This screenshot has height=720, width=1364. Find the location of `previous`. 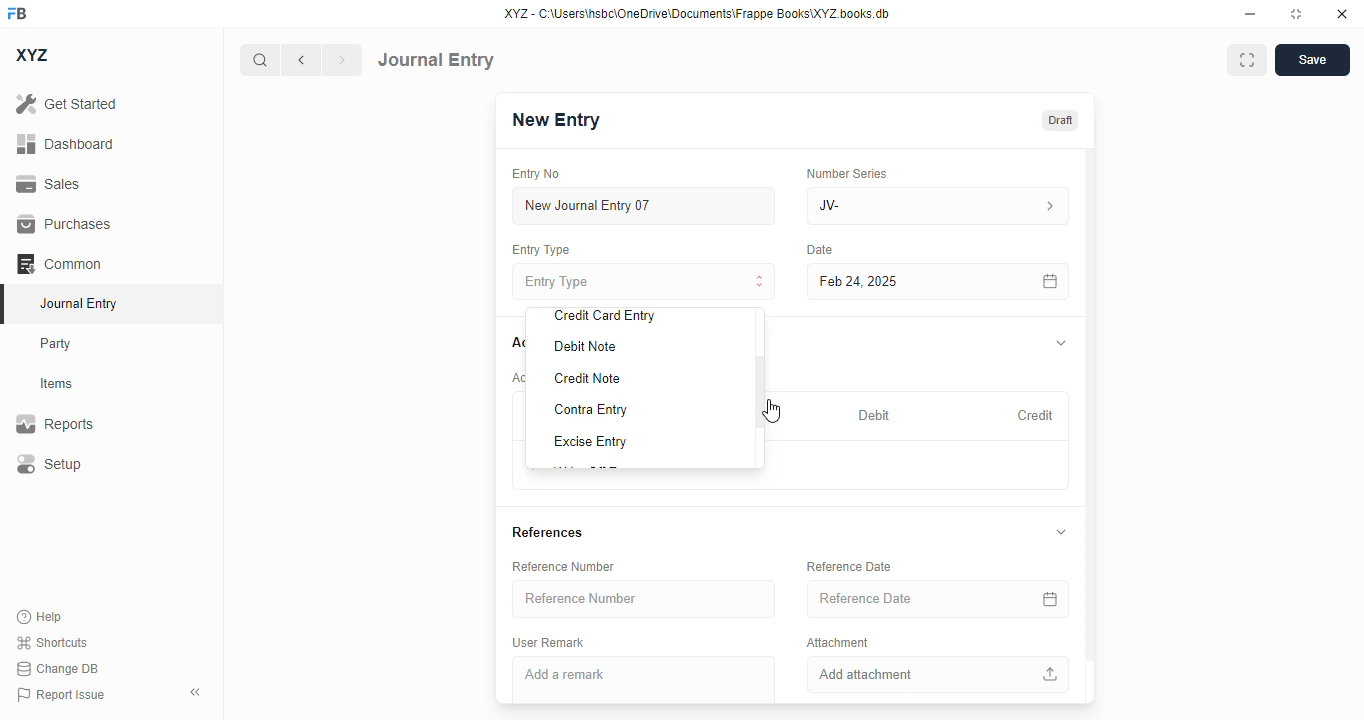

previous is located at coordinates (301, 60).